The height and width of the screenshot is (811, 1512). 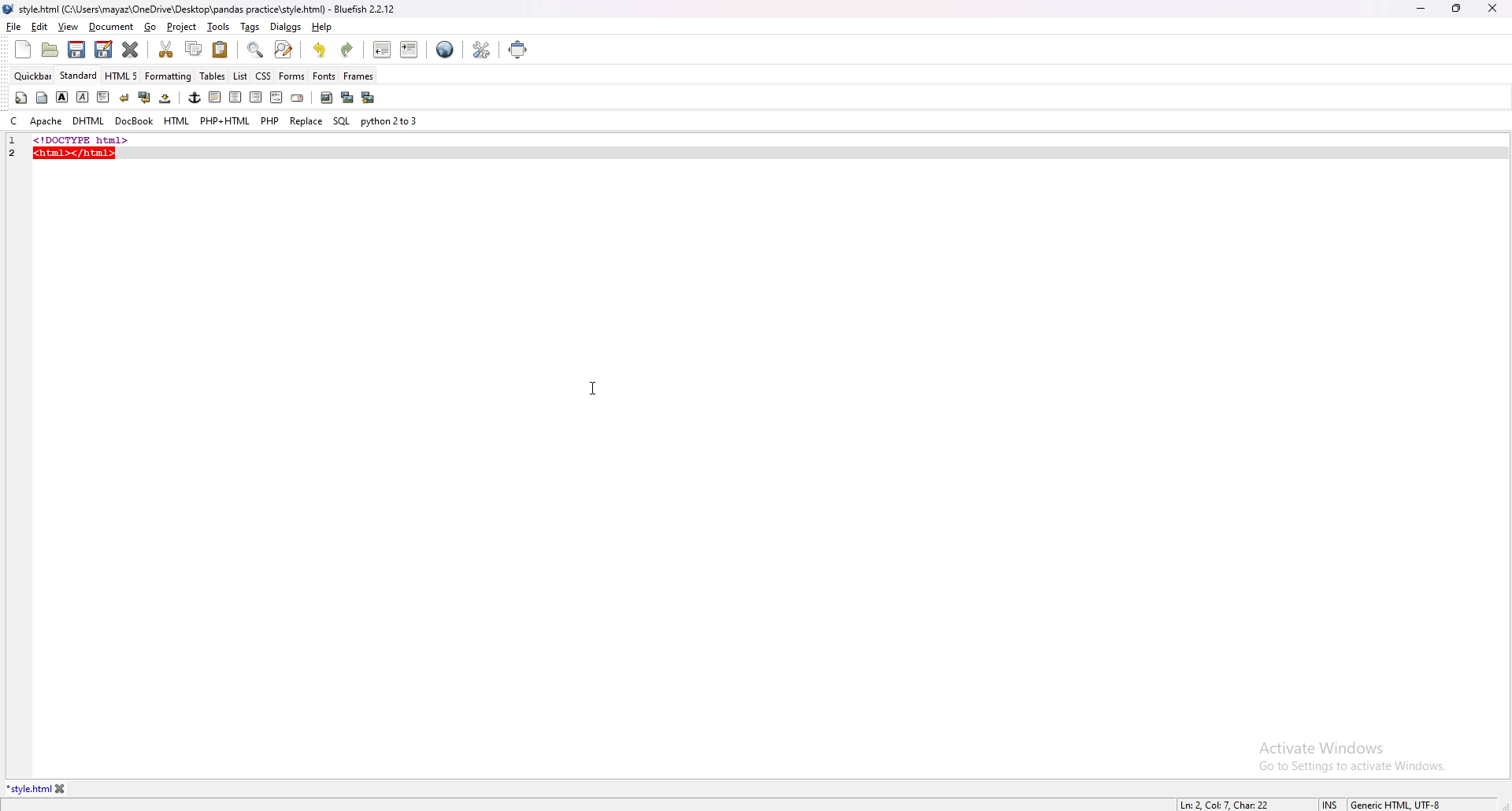 What do you see at coordinates (80, 76) in the screenshot?
I see `standard` at bounding box center [80, 76].